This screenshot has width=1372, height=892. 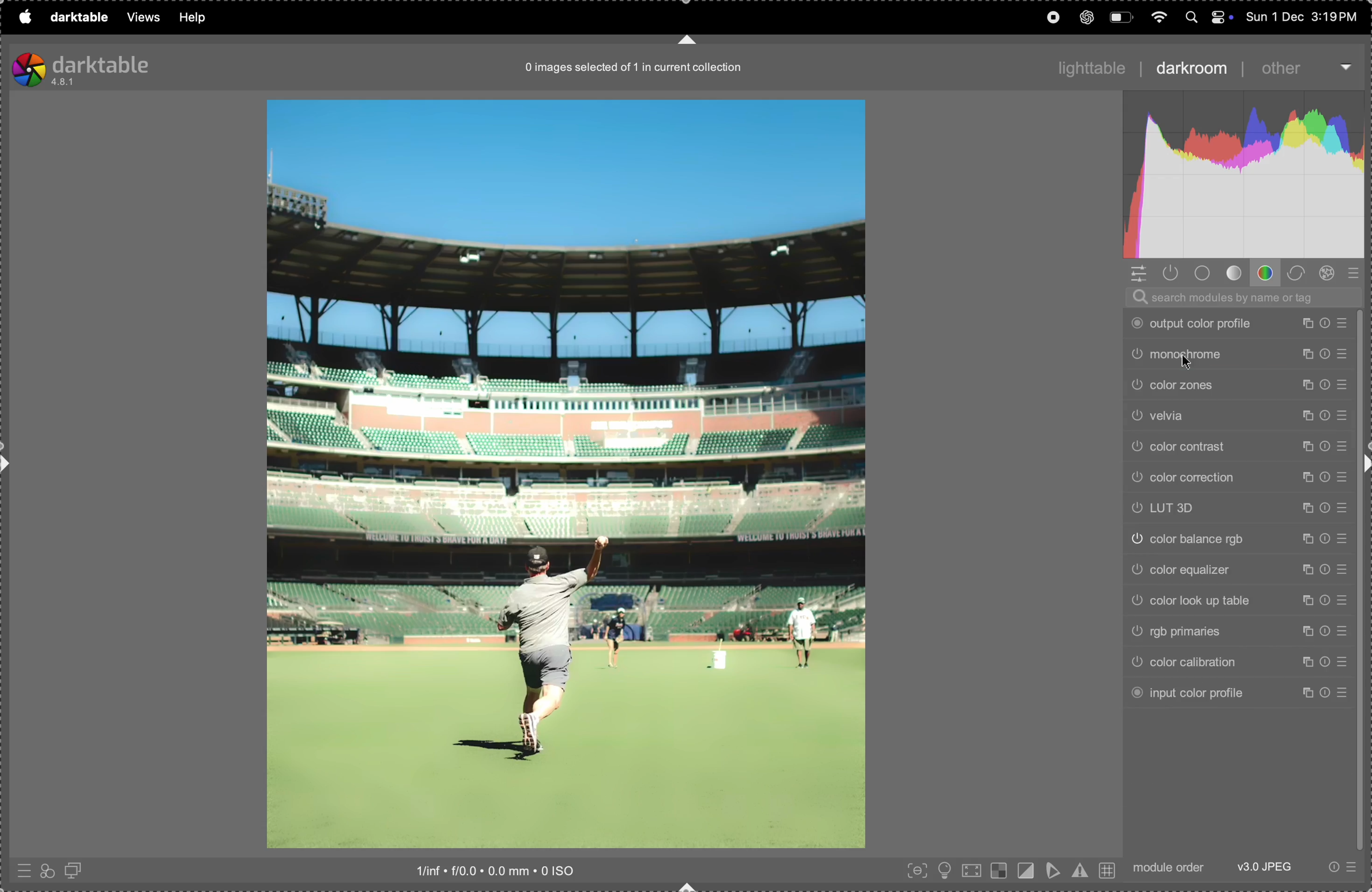 I want to click on v3 jpeg, so click(x=1262, y=867).